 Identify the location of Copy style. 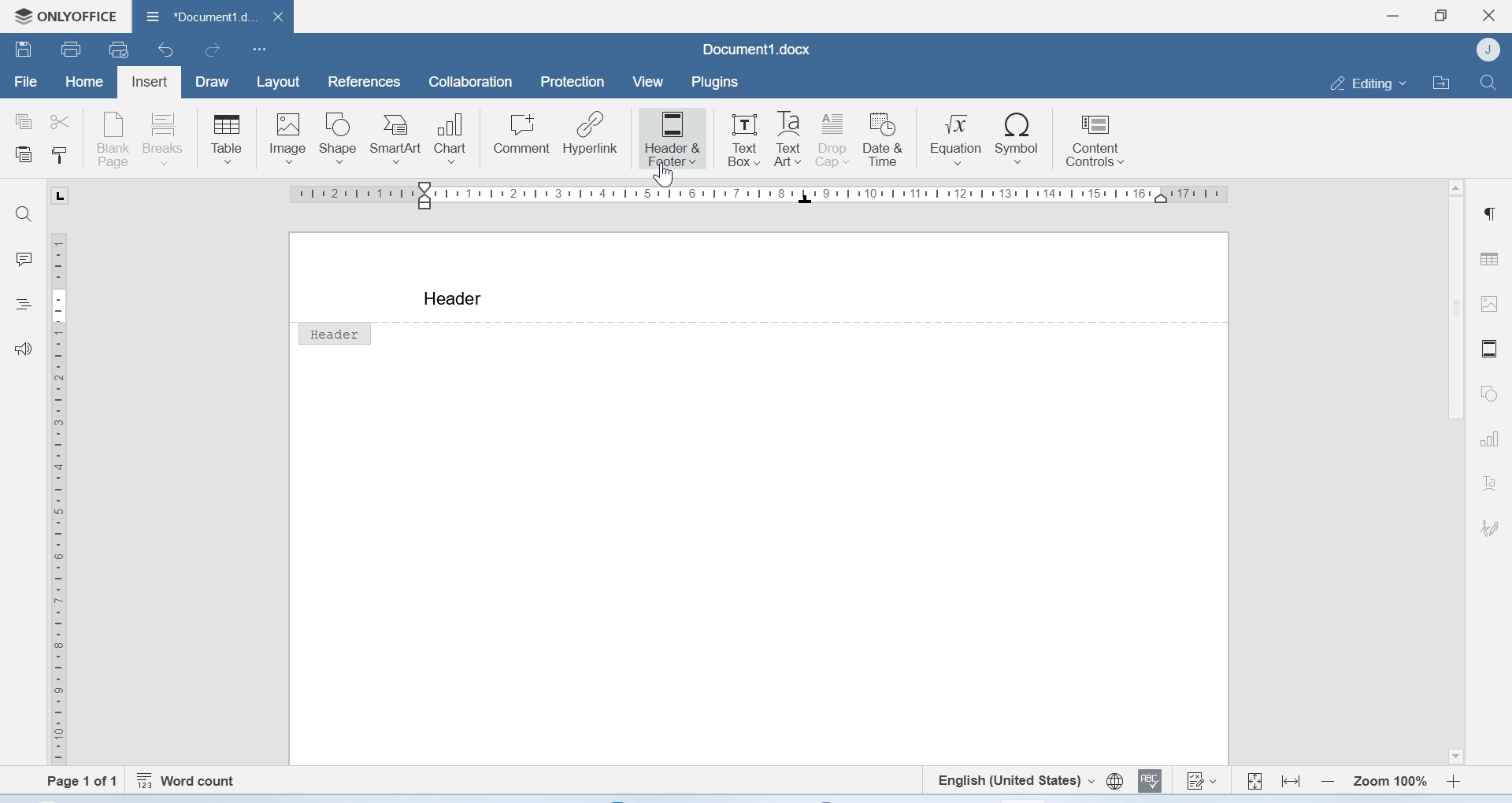
(58, 157).